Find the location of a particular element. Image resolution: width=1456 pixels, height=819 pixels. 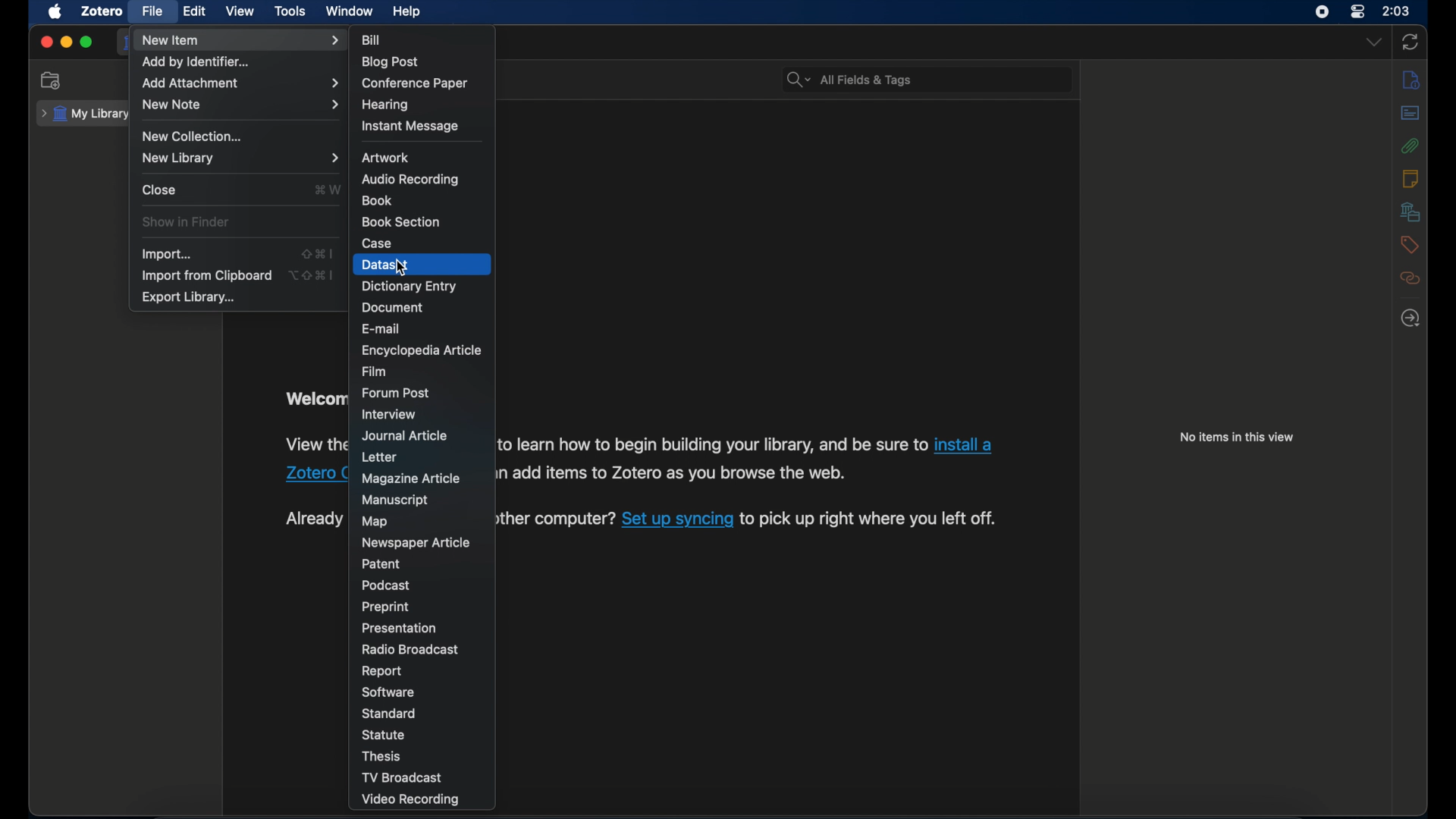

dataset is located at coordinates (386, 265).